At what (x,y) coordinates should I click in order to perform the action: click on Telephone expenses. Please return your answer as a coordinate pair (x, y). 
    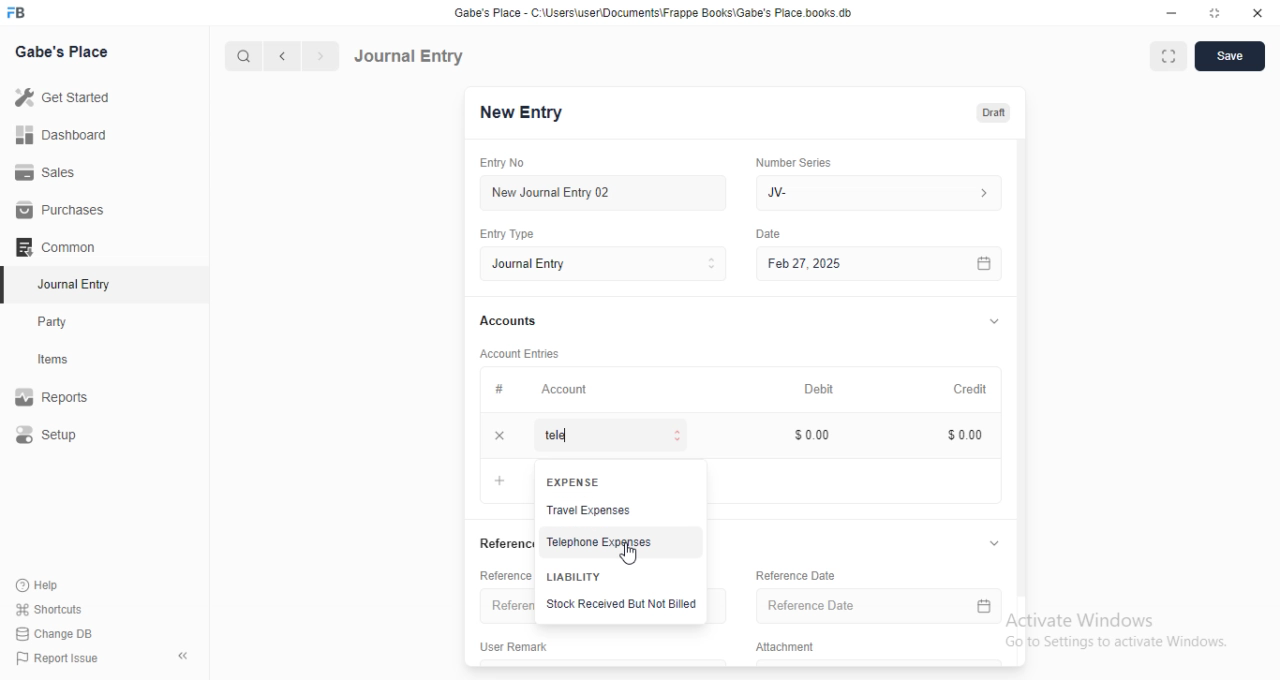
    Looking at the image, I should click on (604, 539).